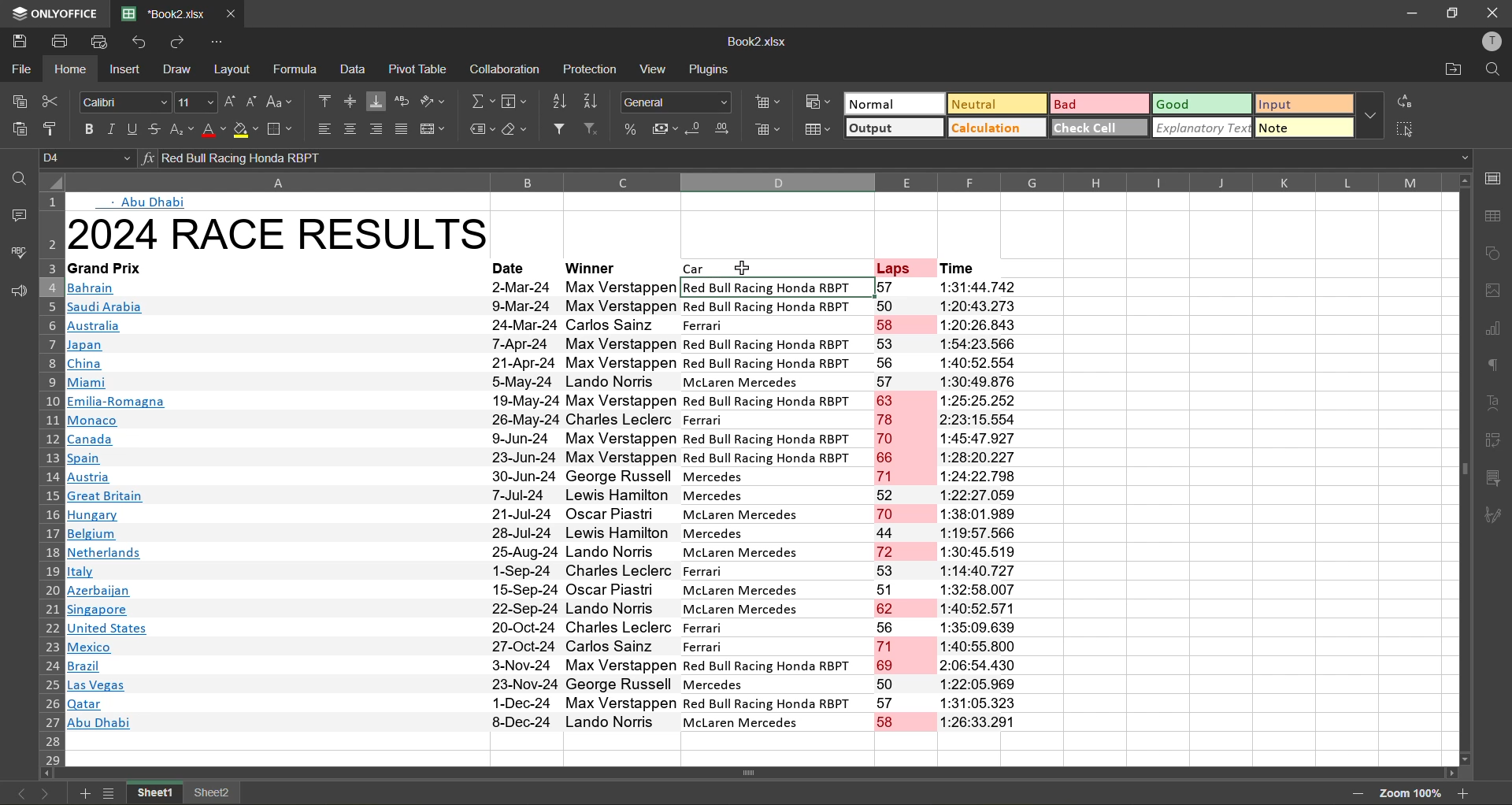 The width and height of the screenshot is (1512, 805). I want to click on pivot table, so click(417, 71).